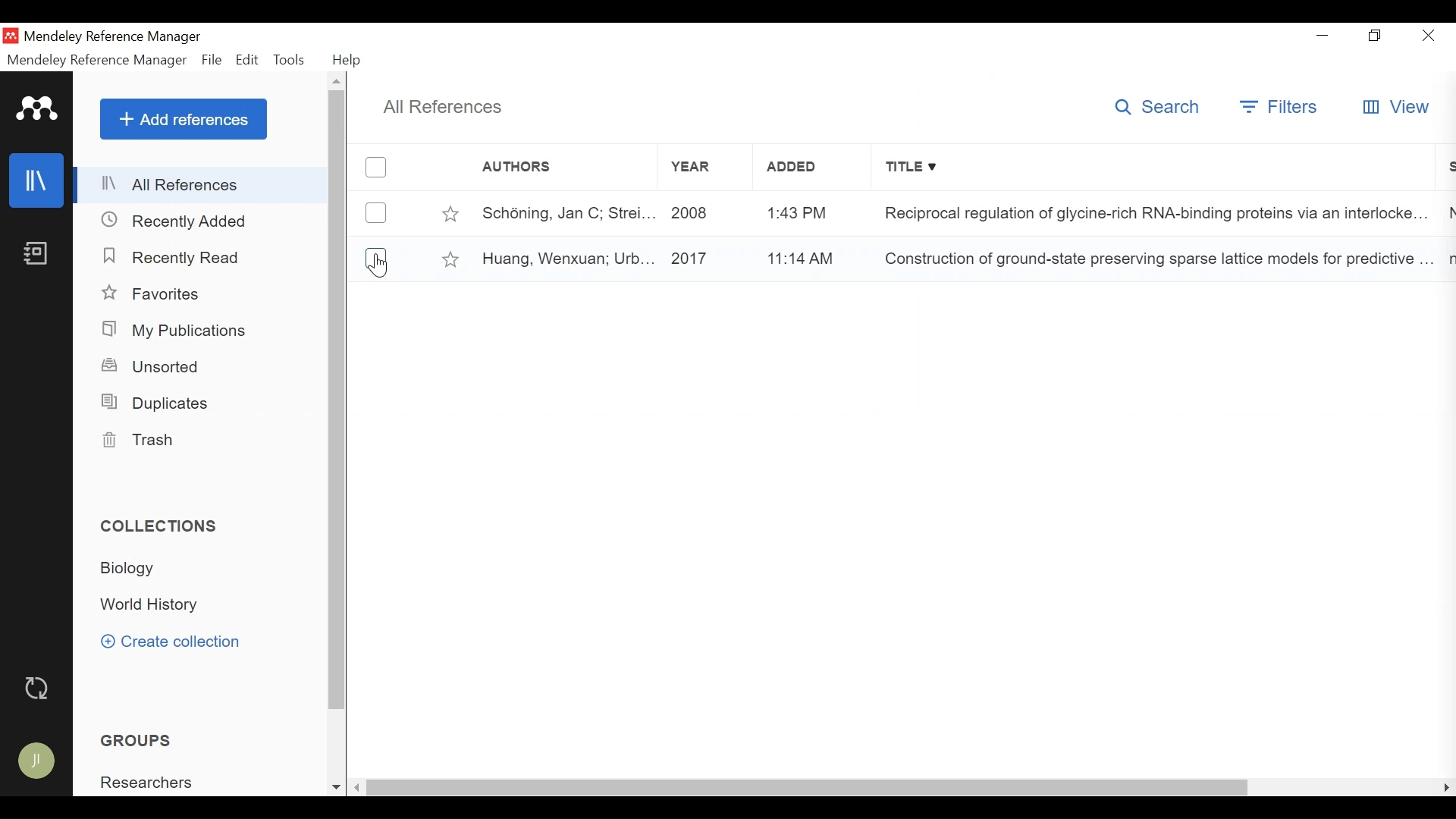  I want to click on File, so click(212, 60).